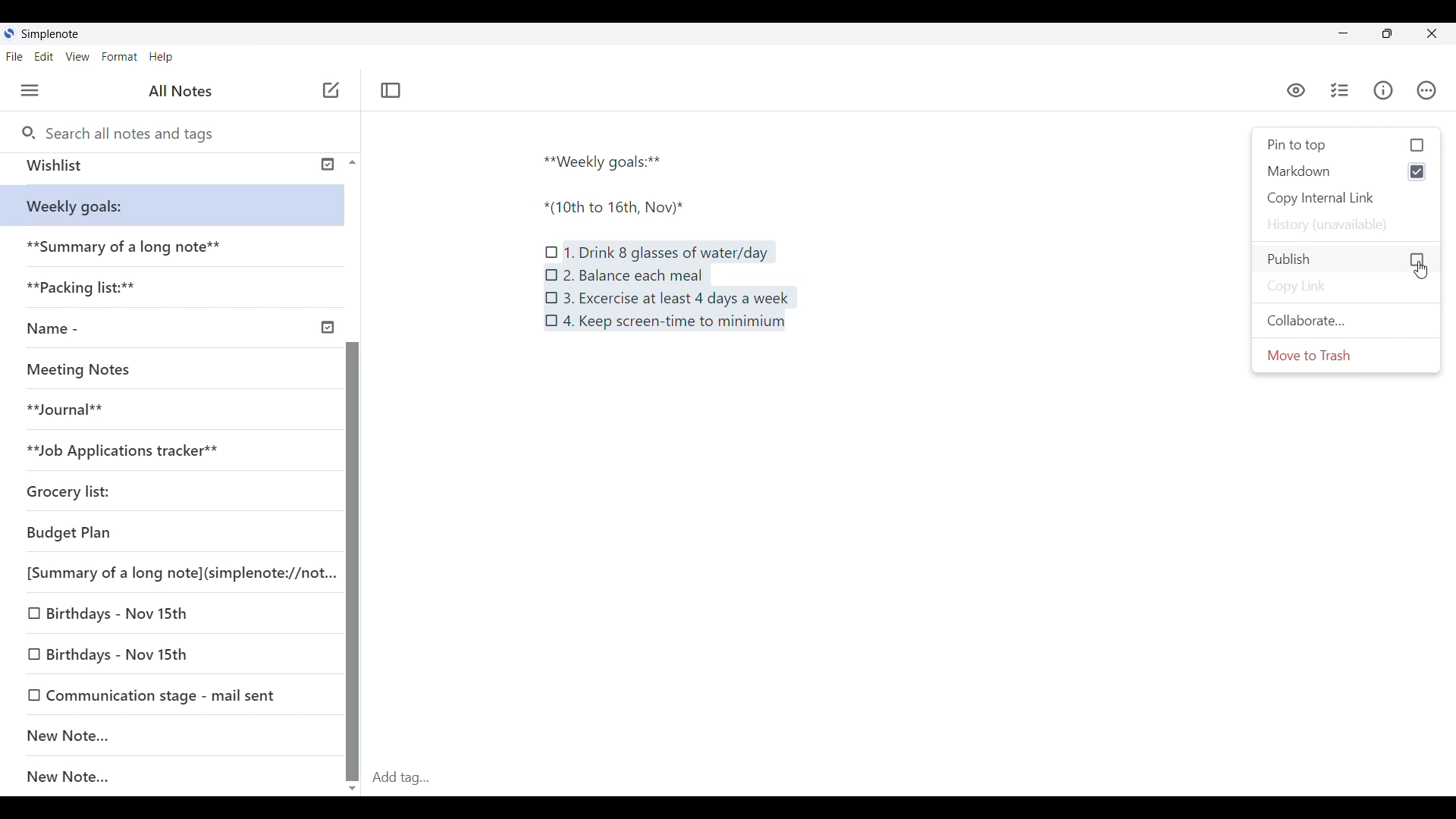 This screenshot has height=819, width=1456. What do you see at coordinates (80, 58) in the screenshot?
I see `View` at bounding box center [80, 58].